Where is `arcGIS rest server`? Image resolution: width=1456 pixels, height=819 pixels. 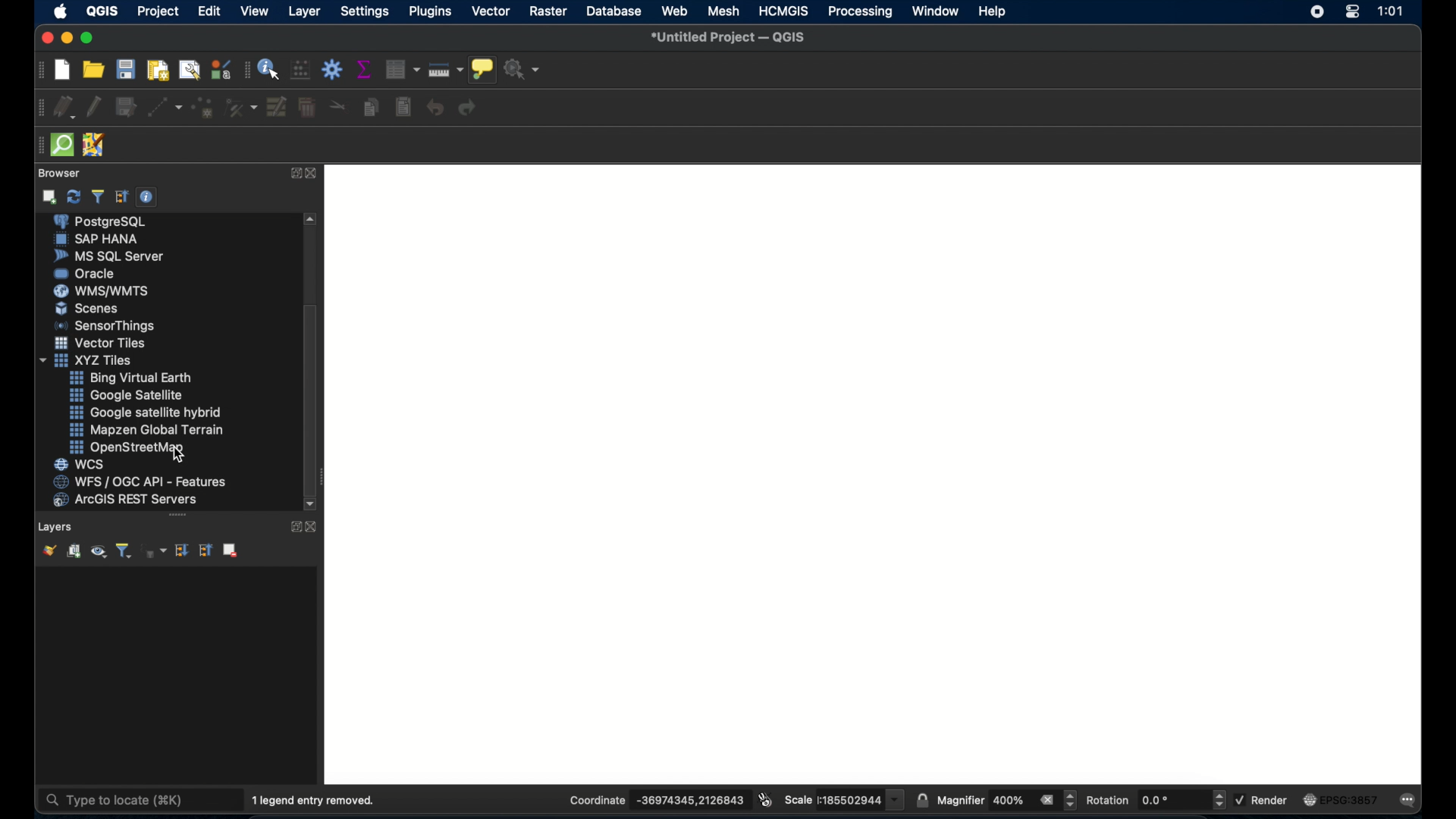
arcGIS rest server is located at coordinates (125, 500).